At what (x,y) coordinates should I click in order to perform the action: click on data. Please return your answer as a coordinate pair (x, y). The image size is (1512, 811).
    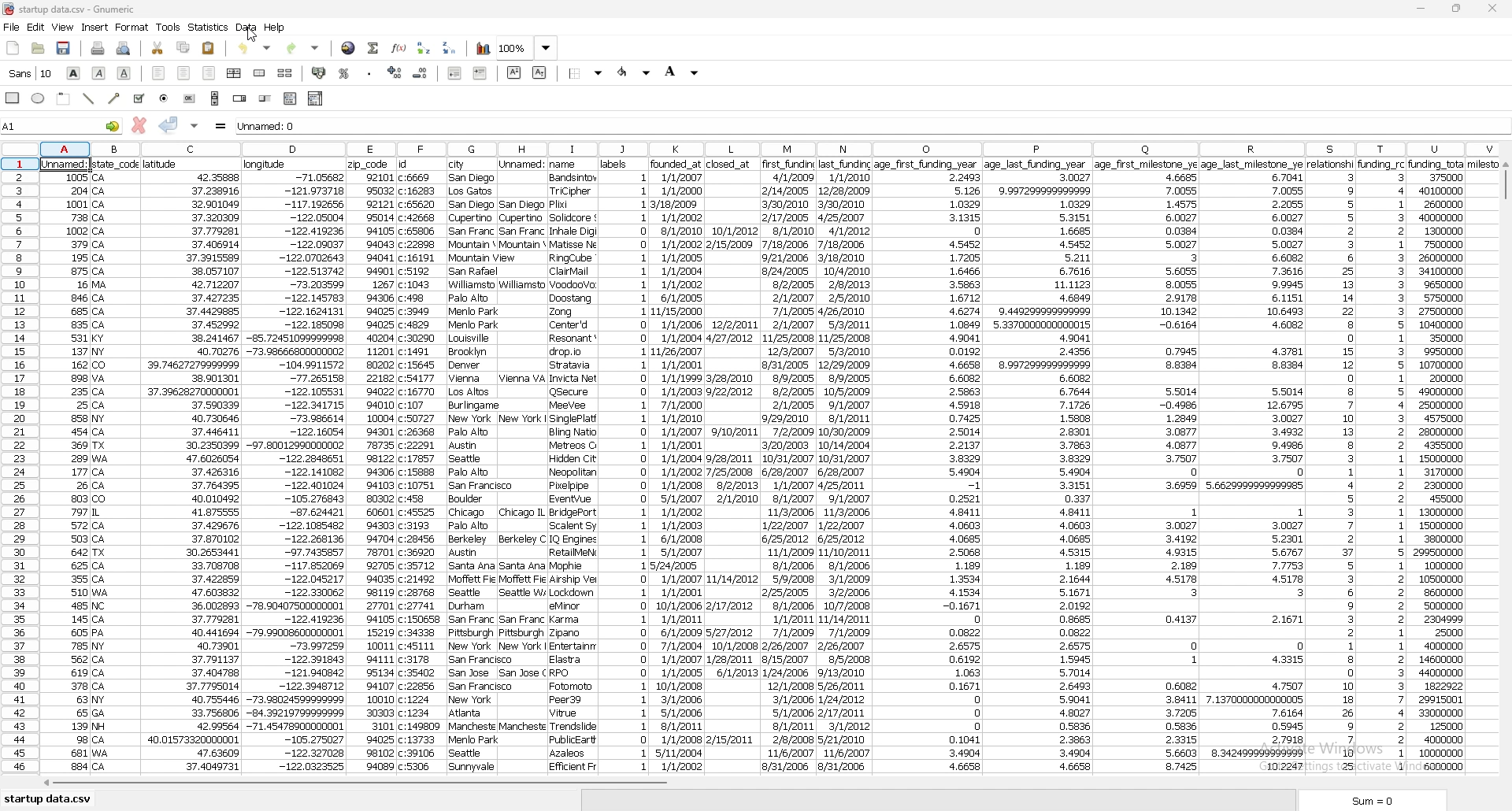
    Looking at the image, I should click on (790, 468).